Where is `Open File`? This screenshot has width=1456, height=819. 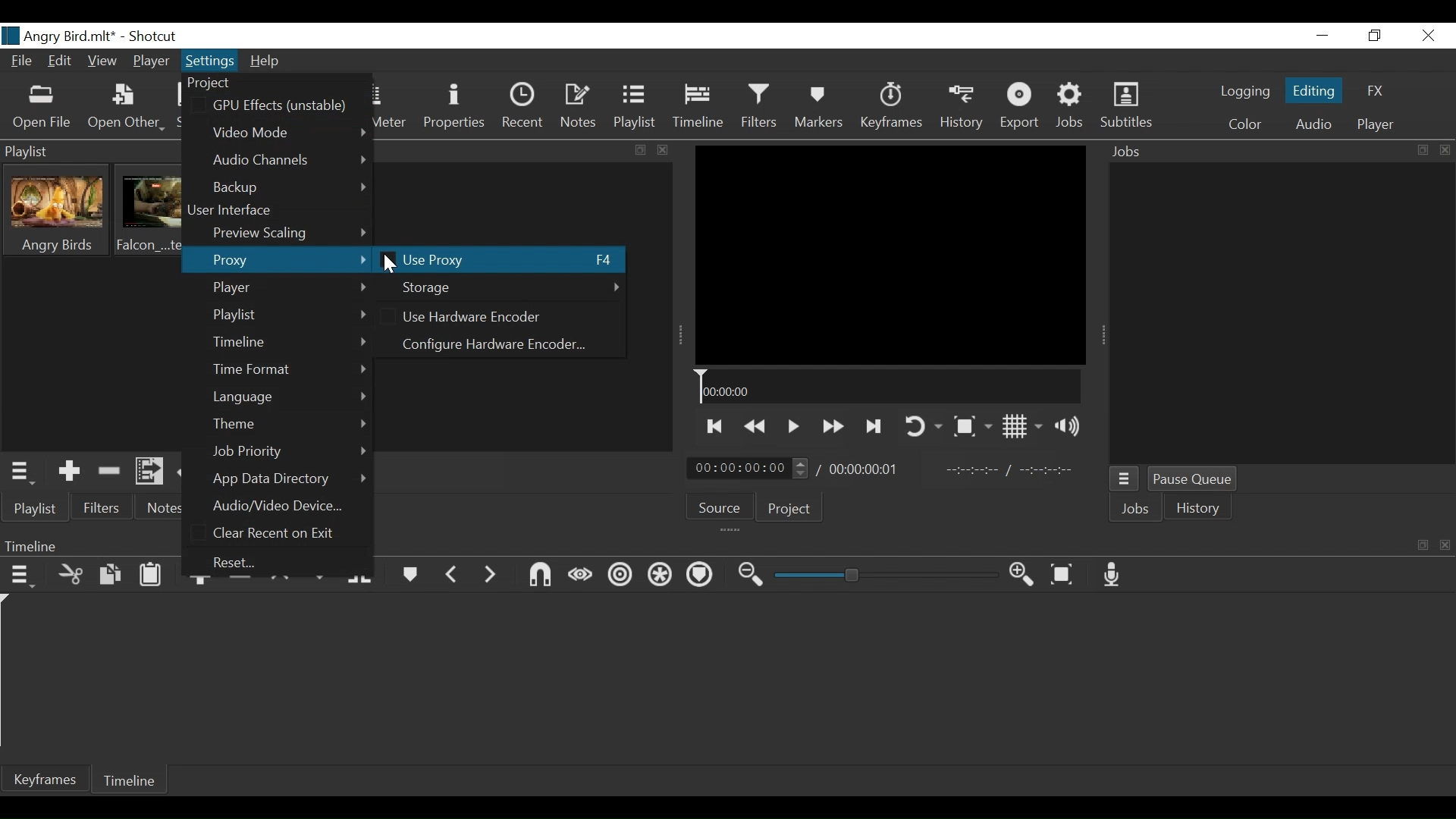 Open File is located at coordinates (42, 108).